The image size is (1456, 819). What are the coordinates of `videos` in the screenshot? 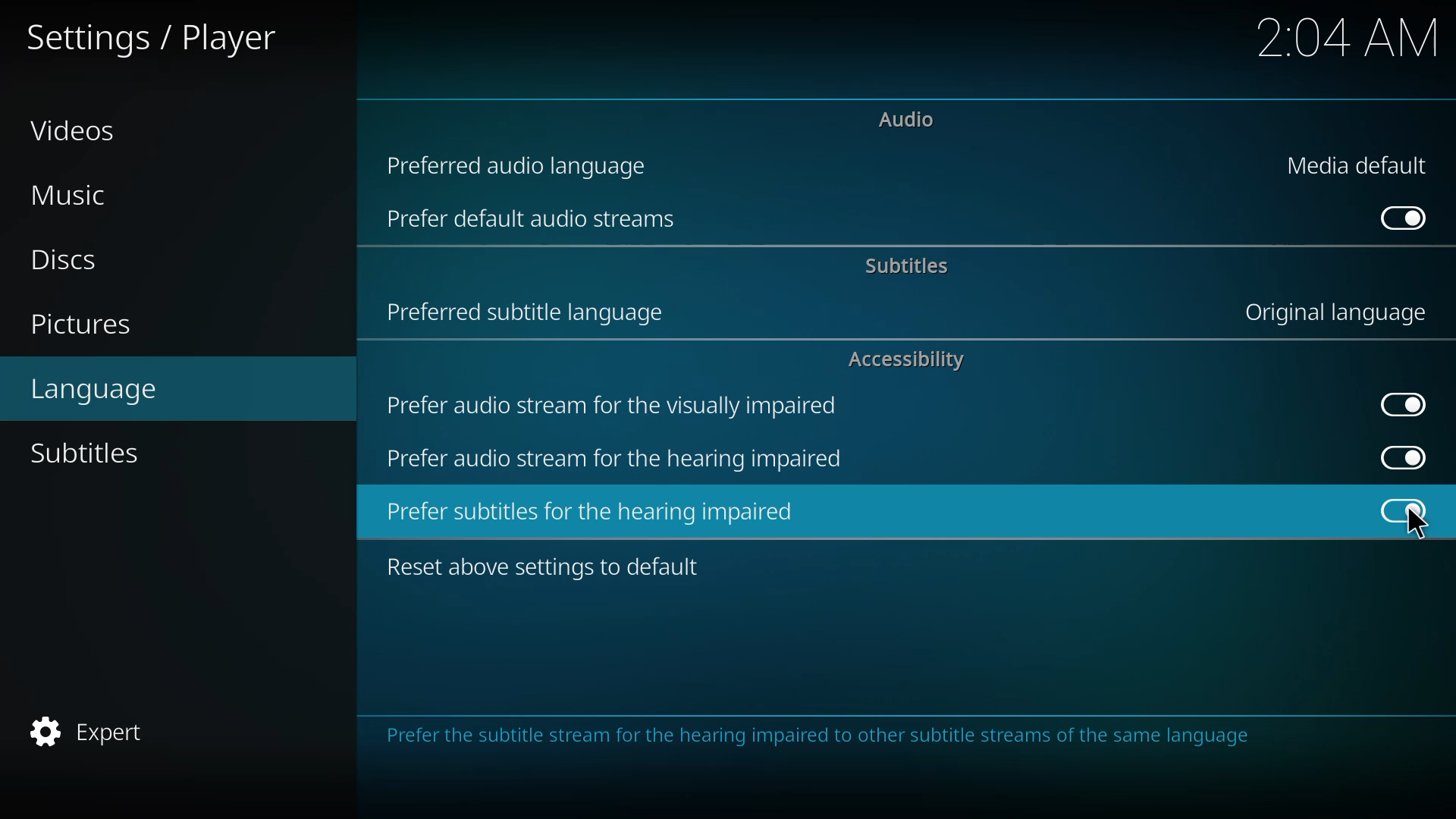 It's located at (75, 132).